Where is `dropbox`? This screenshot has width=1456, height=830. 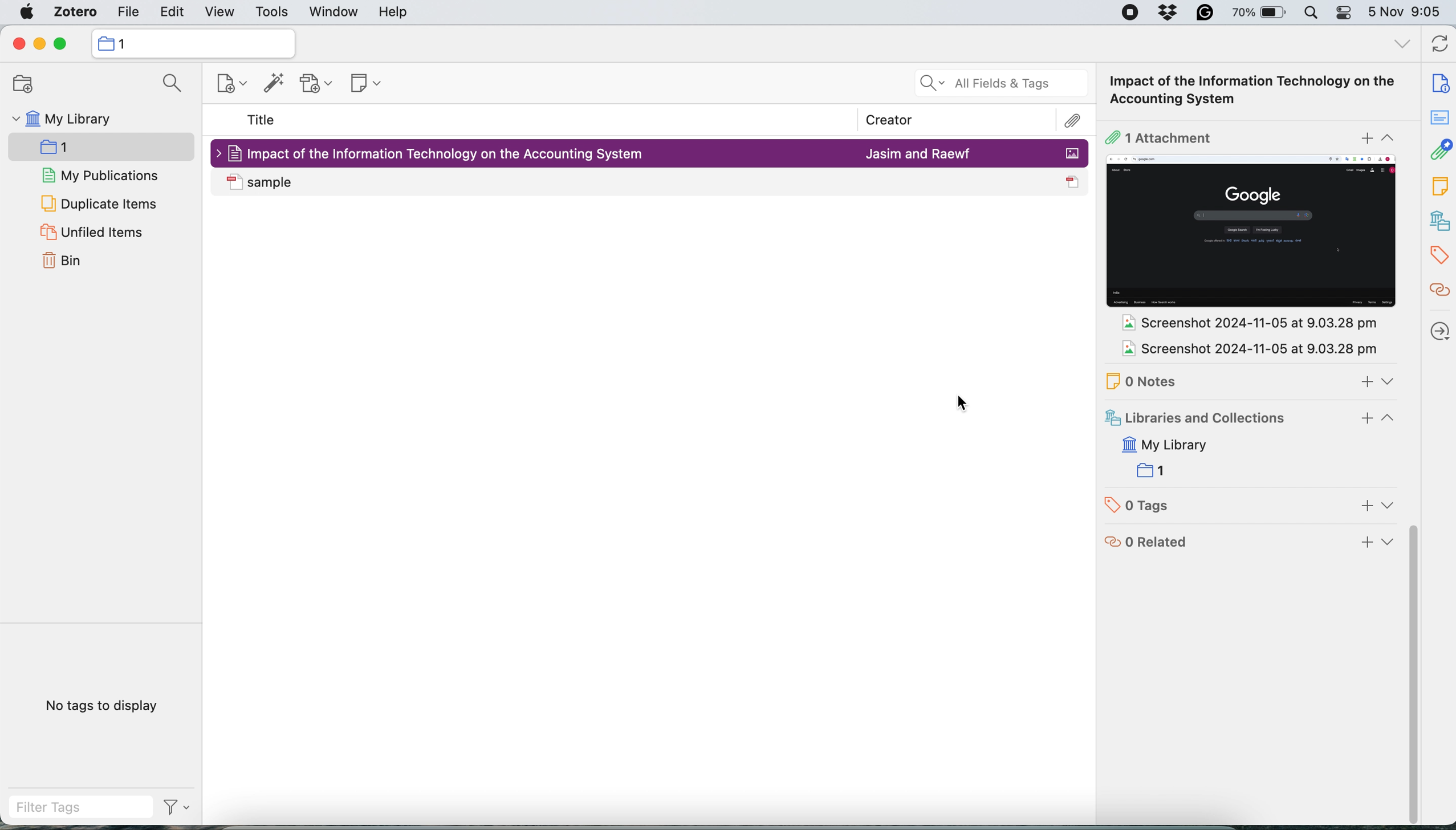
dropbox is located at coordinates (1170, 14).